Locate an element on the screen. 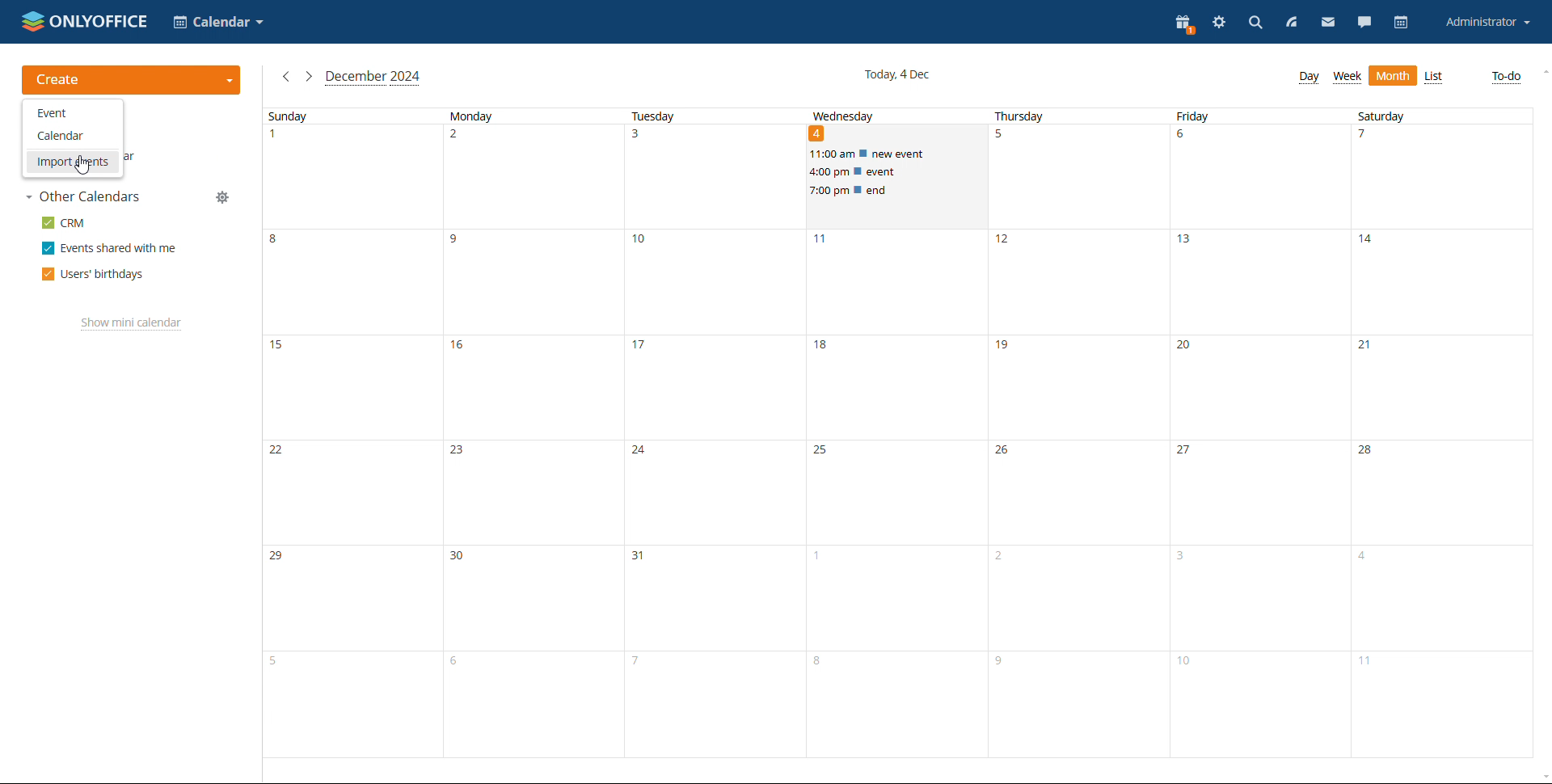 This screenshot has width=1552, height=784. wednesday is located at coordinates (846, 114).